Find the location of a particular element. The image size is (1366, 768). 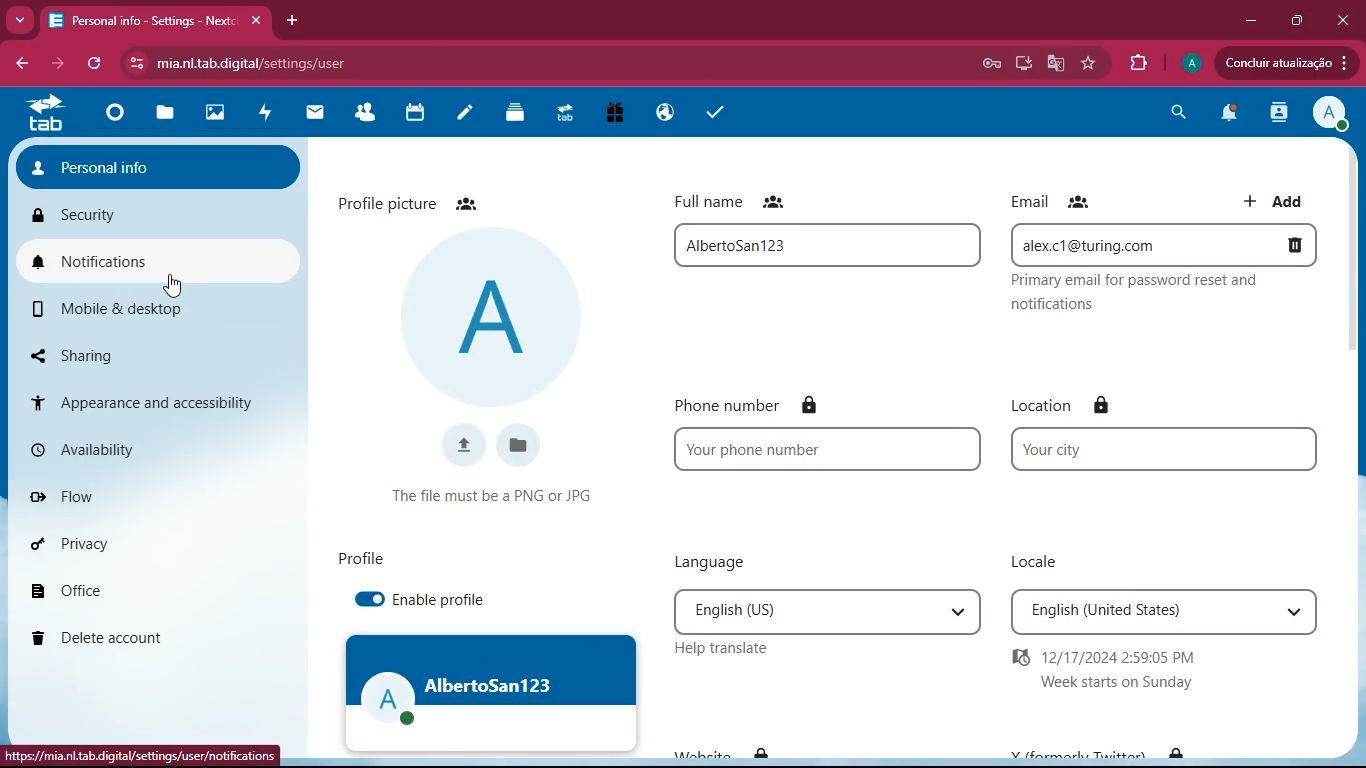

activity is located at coordinates (1279, 114).